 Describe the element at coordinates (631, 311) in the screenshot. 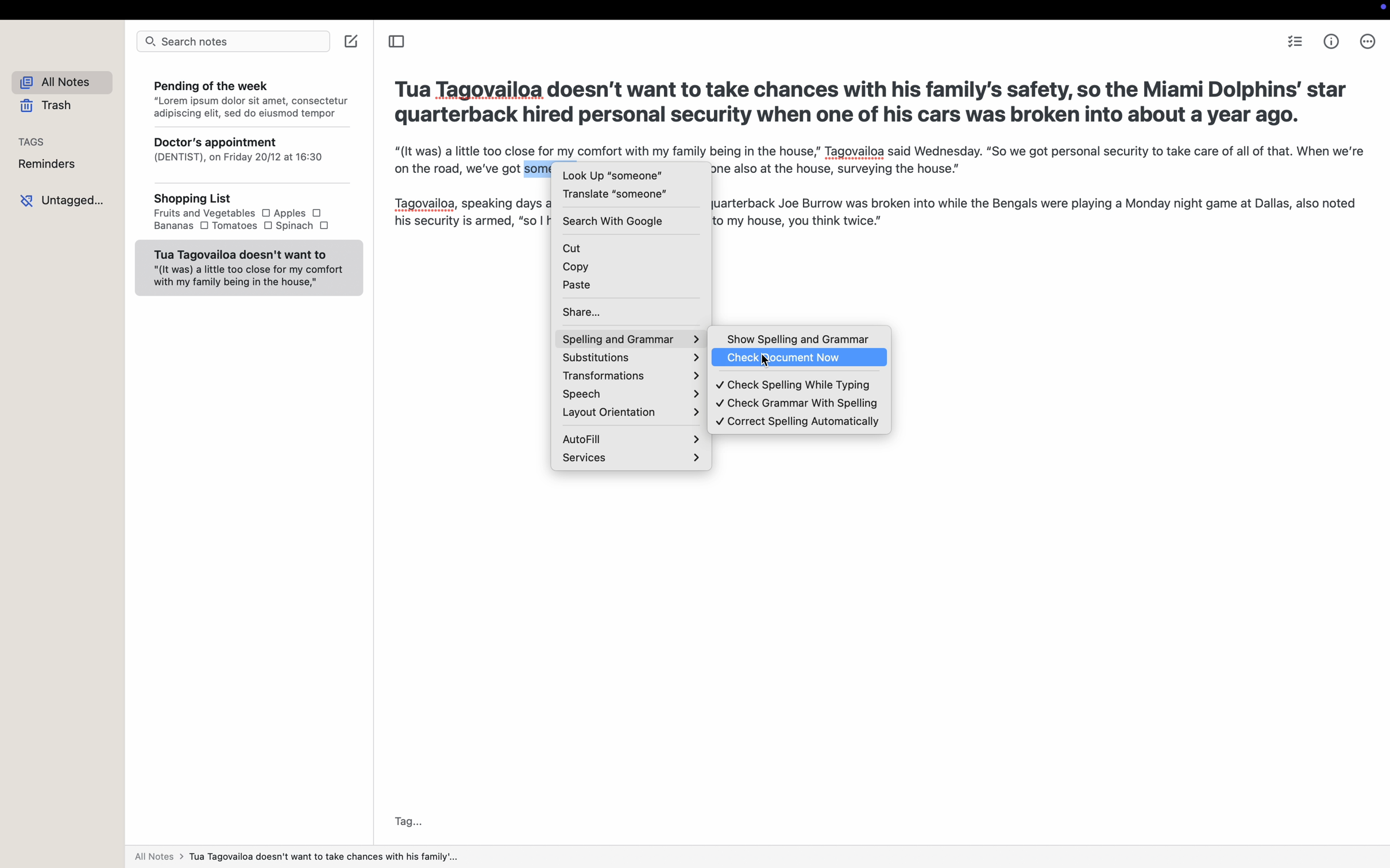

I see `share` at that location.